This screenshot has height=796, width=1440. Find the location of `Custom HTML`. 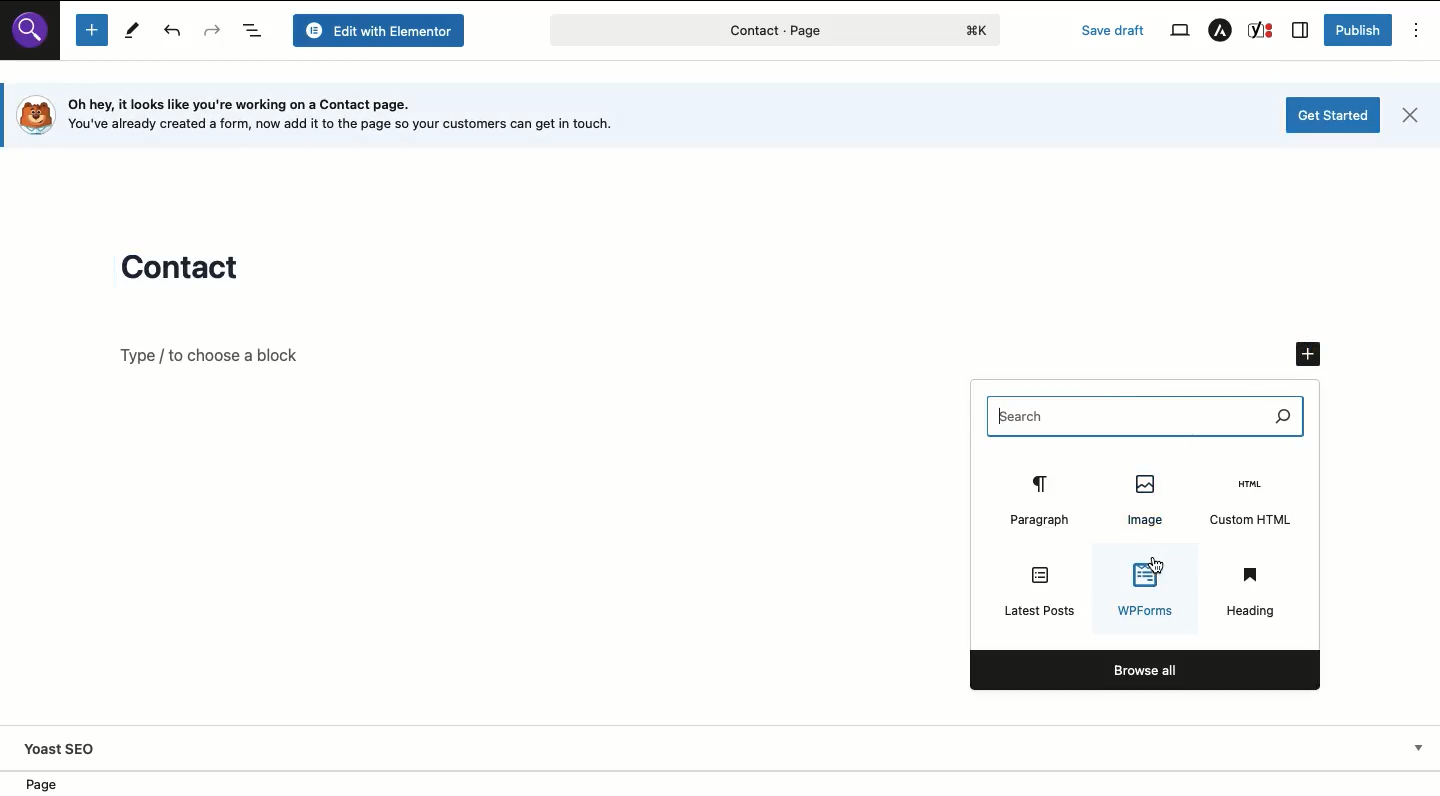

Custom HTML is located at coordinates (1249, 504).